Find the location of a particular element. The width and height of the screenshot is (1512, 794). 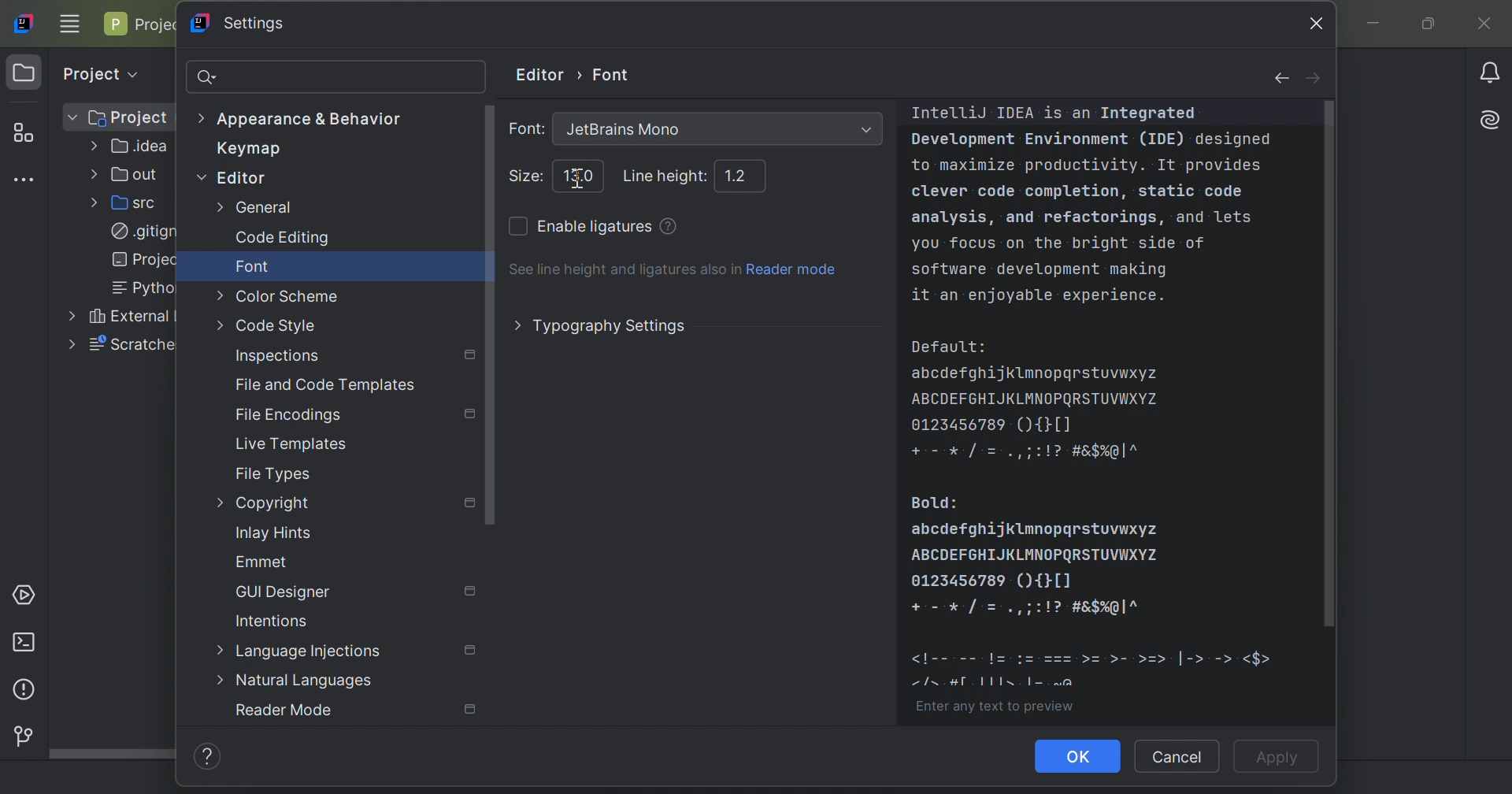

Appearance & Behavior is located at coordinates (302, 120).